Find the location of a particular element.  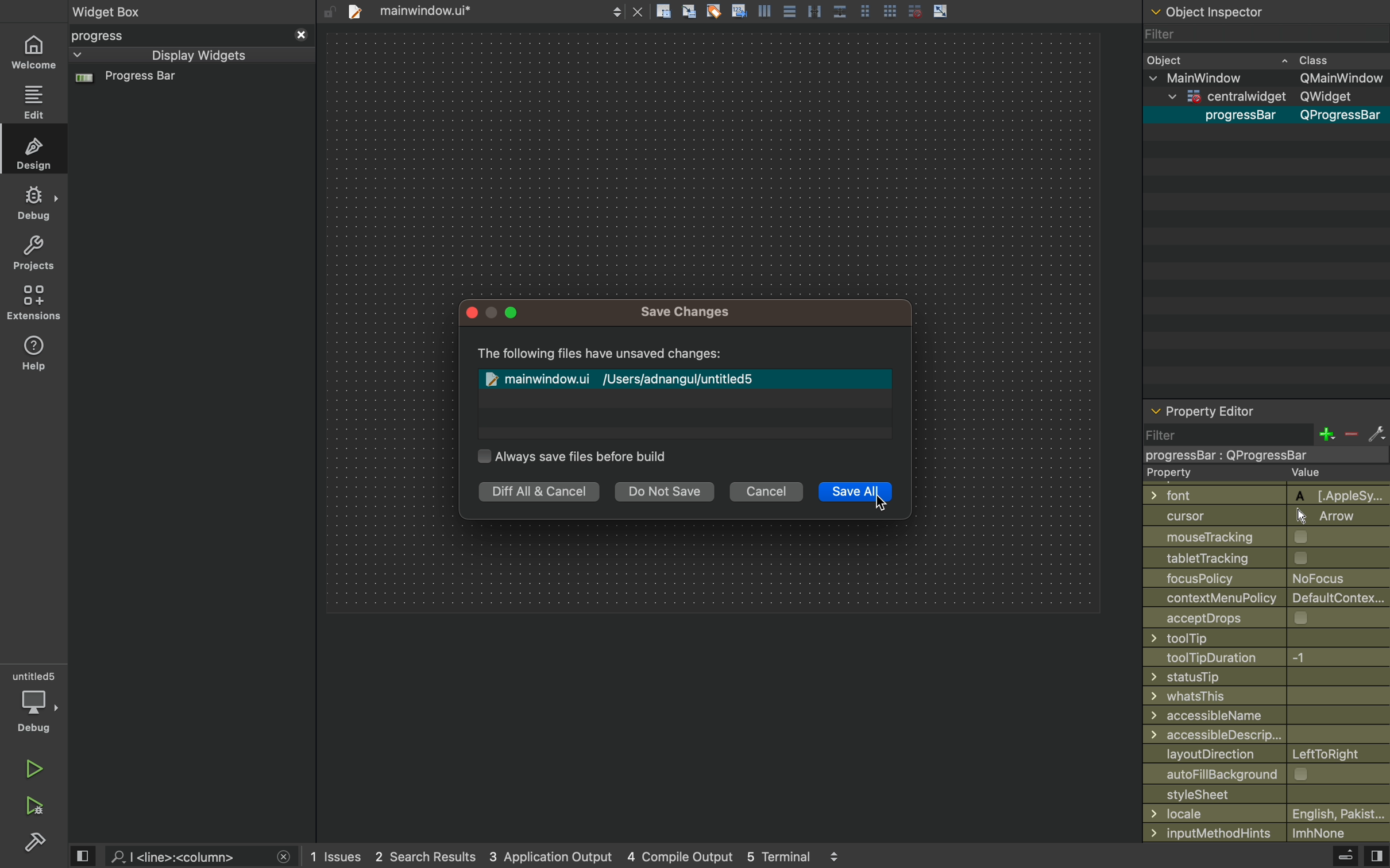

run and build is located at coordinates (33, 806).